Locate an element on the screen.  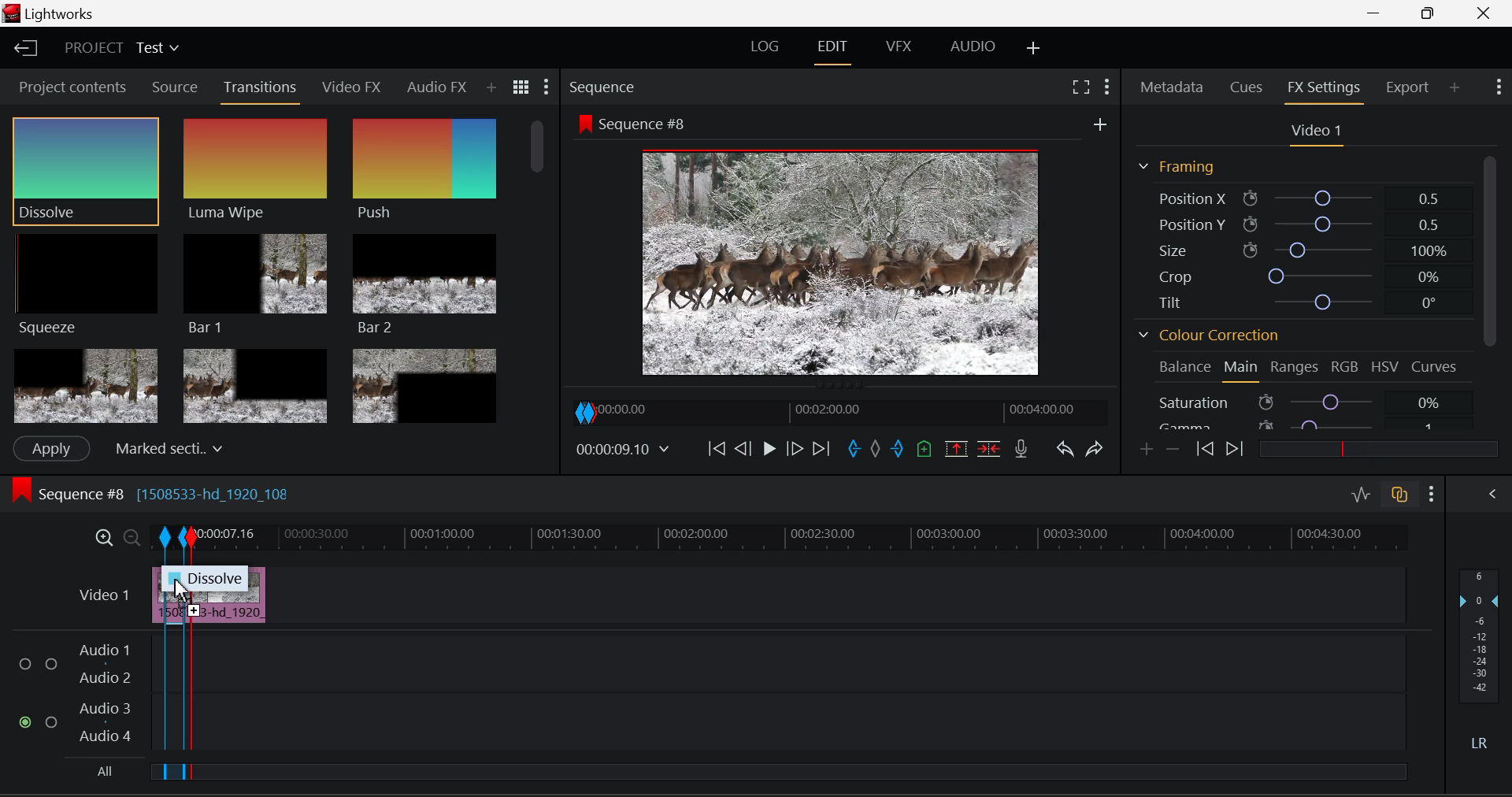
Scroll Bar is located at coordinates (1489, 293).